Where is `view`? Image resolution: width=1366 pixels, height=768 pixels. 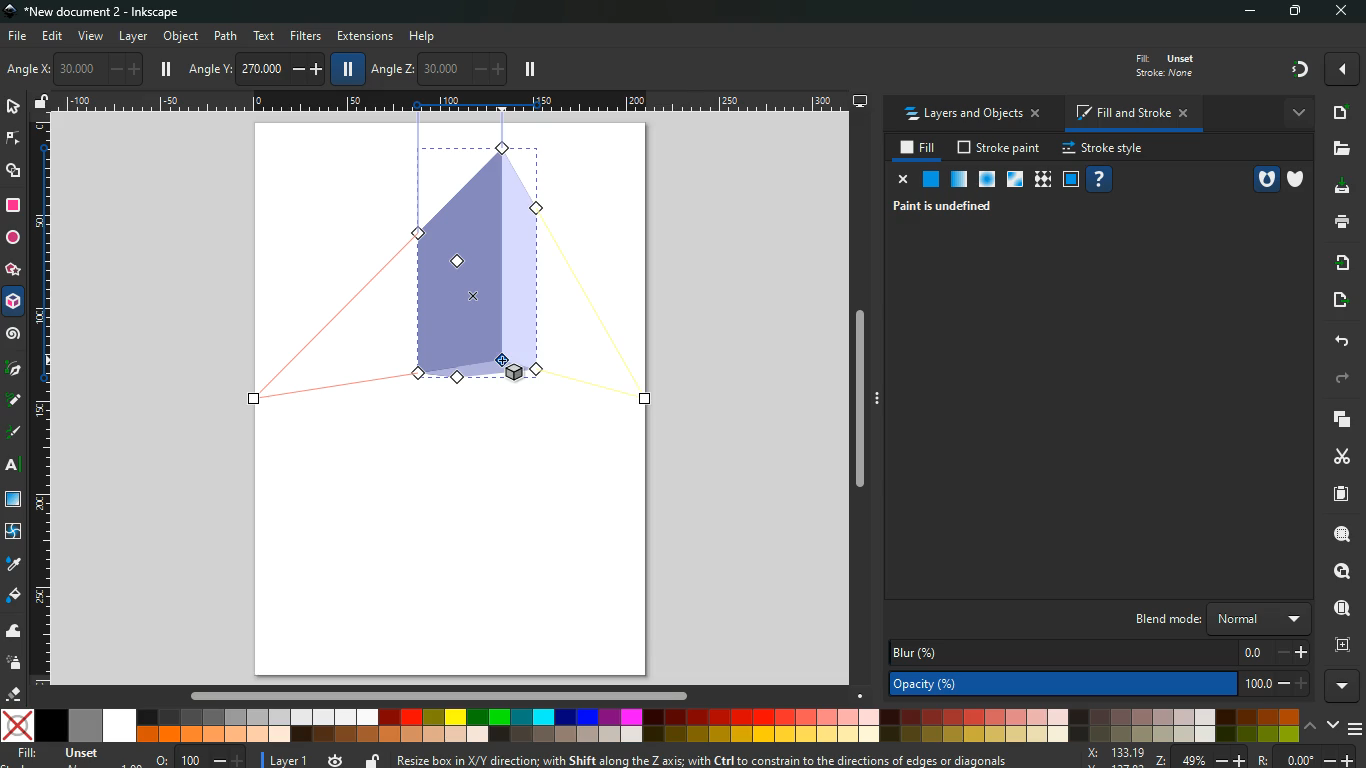 view is located at coordinates (92, 37).